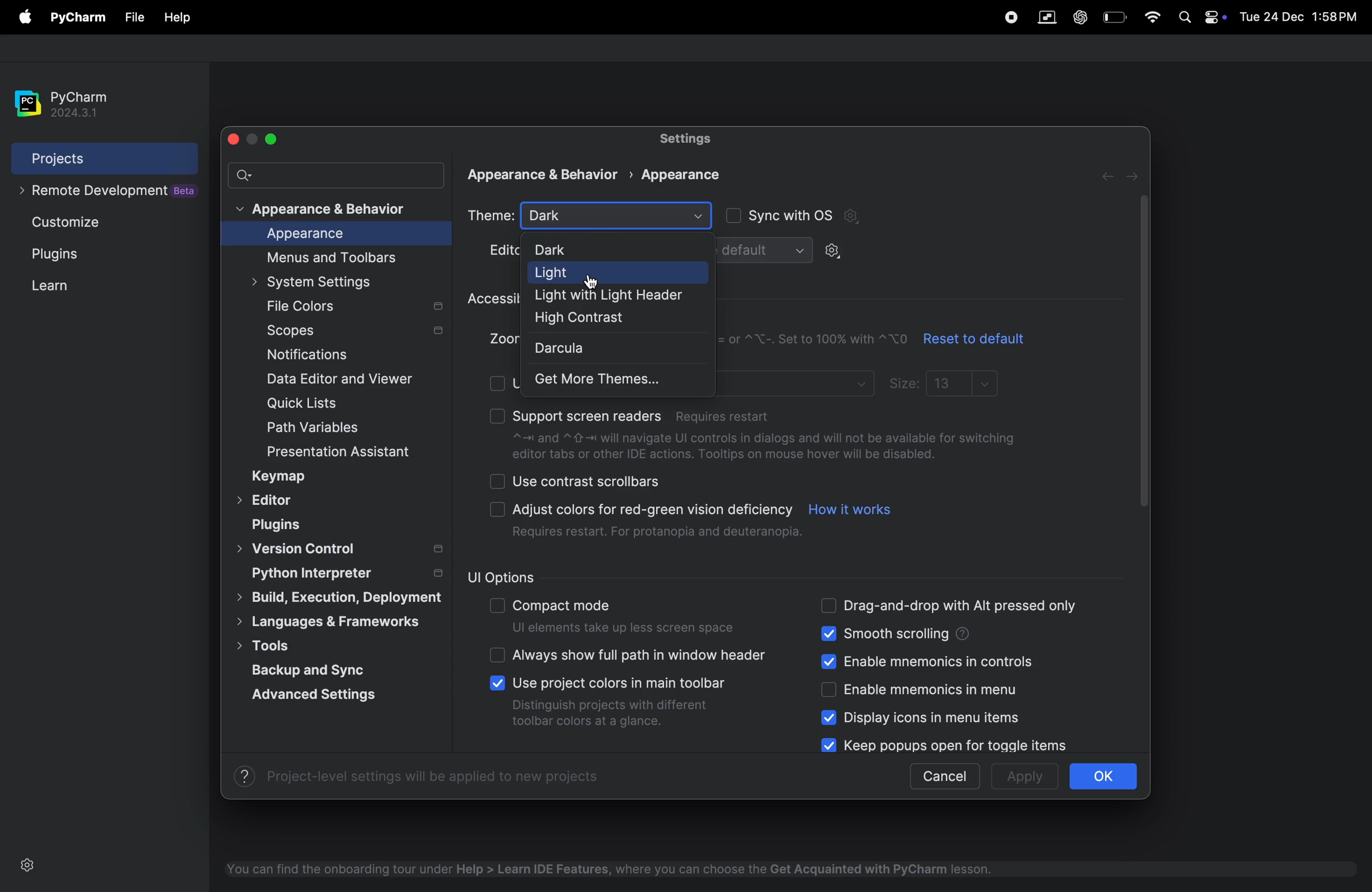 The width and height of the screenshot is (1372, 892). What do you see at coordinates (617, 715) in the screenshot?
I see `Distinguish projects with different toolbar colors at a glance.` at bounding box center [617, 715].